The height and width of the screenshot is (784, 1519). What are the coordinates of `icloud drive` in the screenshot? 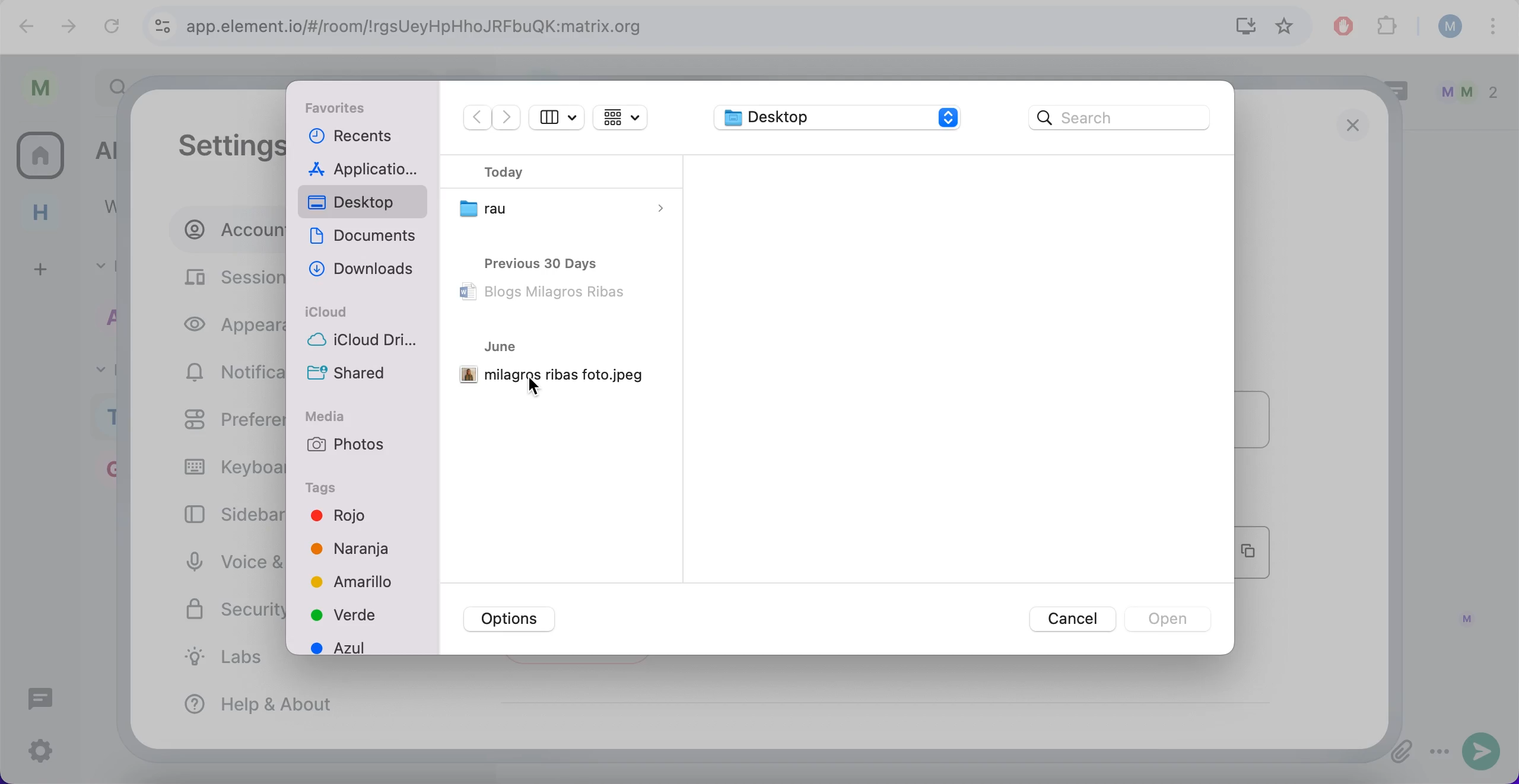 It's located at (366, 340).